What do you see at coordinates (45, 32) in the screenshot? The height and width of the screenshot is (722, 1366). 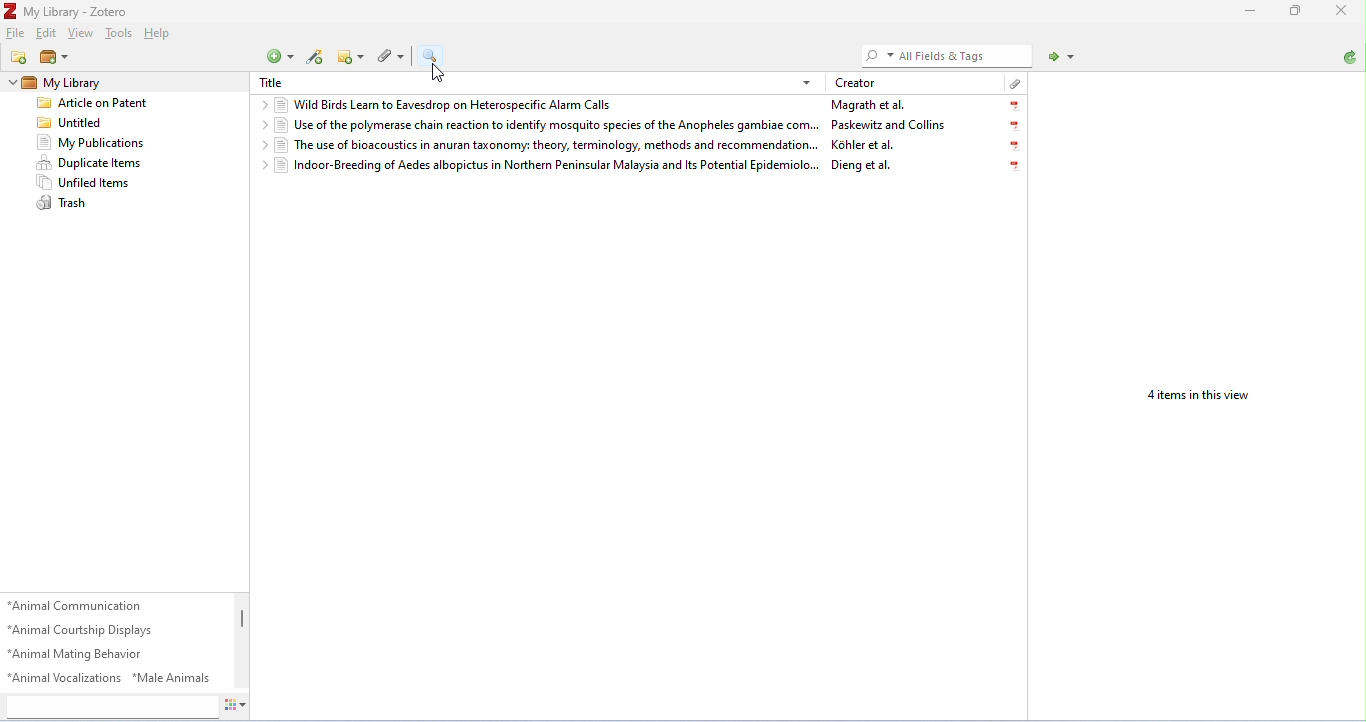 I see `edit` at bounding box center [45, 32].